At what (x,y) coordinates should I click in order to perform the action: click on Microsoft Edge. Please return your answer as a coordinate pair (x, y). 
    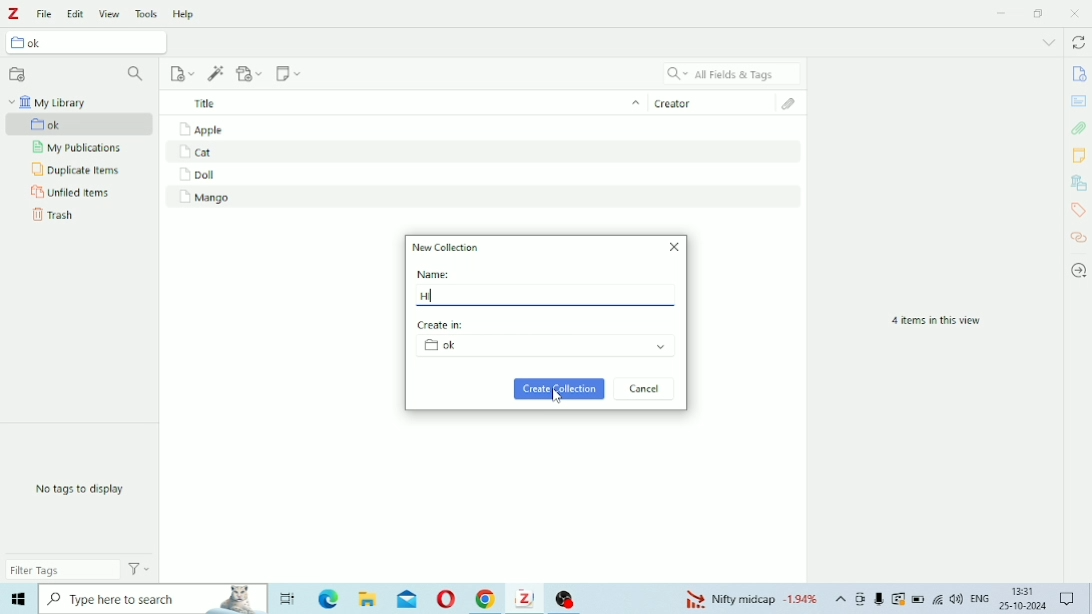
    Looking at the image, I should click on (328, 598).